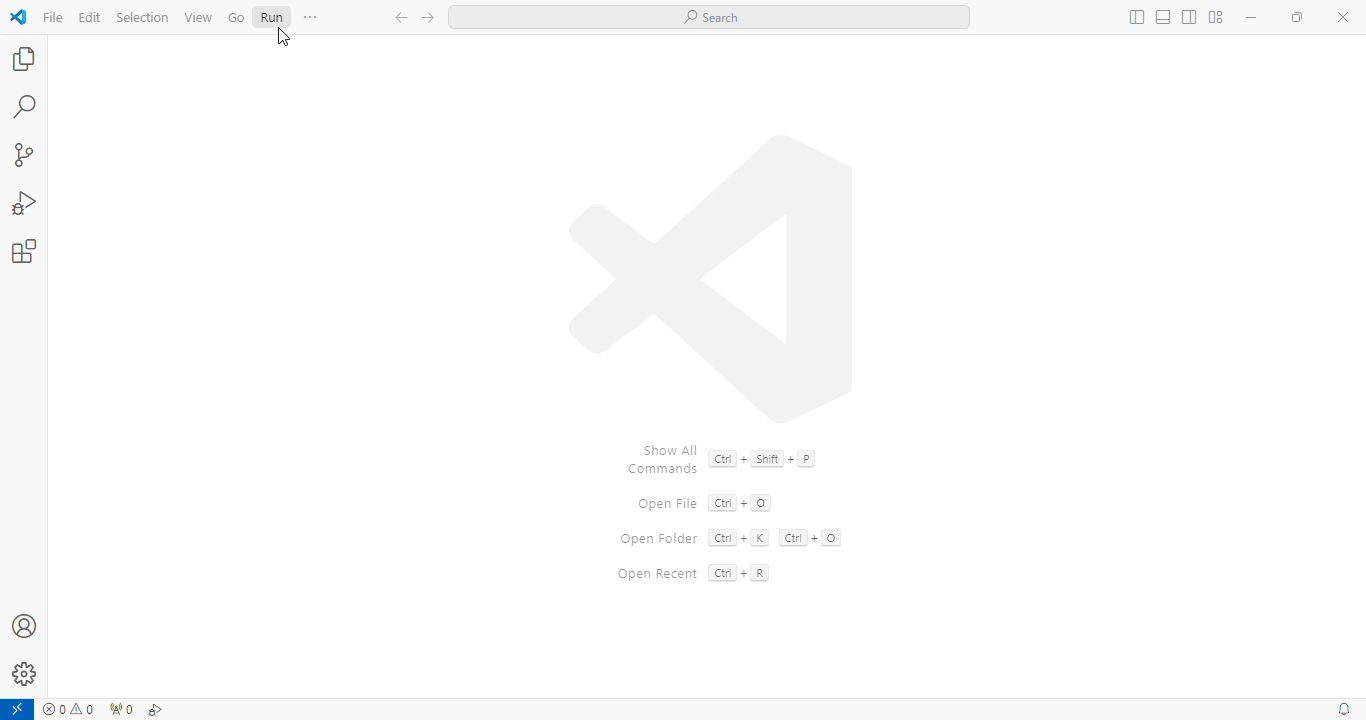 This screenshot has width=1366, height=720. I want to click on close, so click(1343, 17).